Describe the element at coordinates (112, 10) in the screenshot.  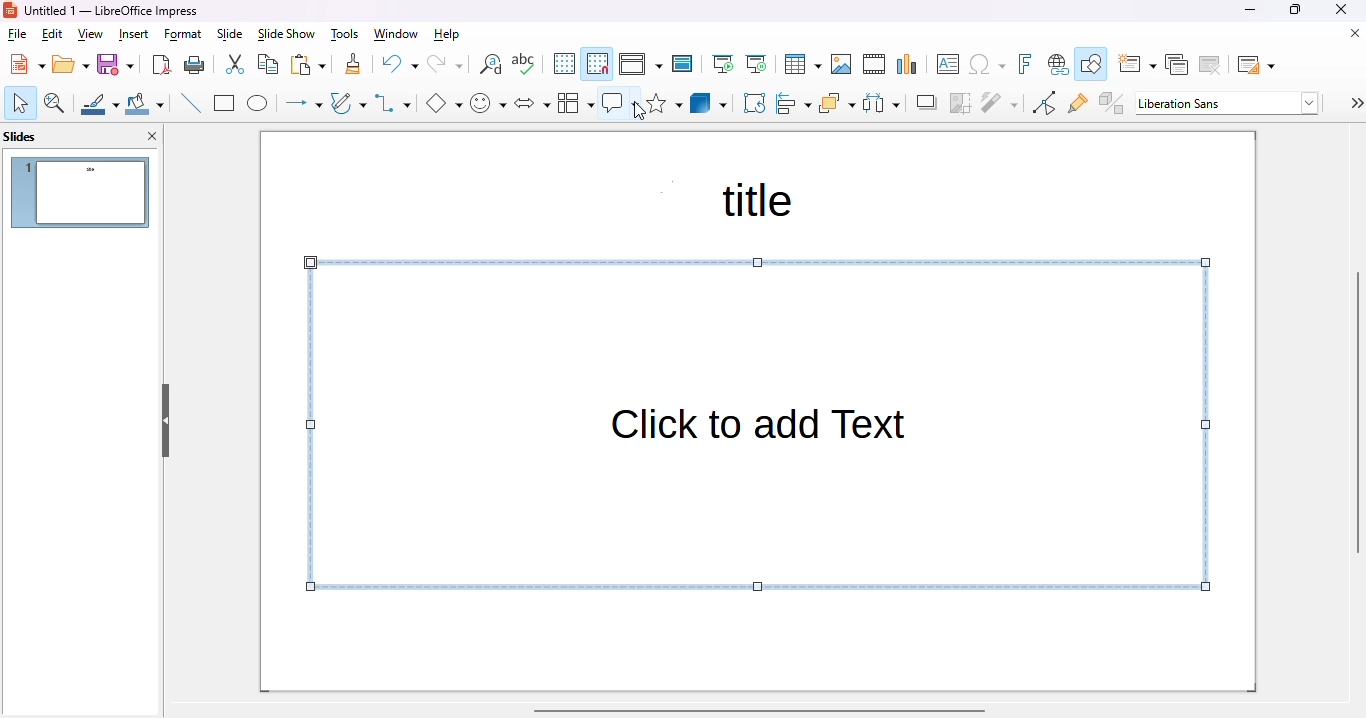
I see `Untitled 1 - LibreOffice Impress` at that location.